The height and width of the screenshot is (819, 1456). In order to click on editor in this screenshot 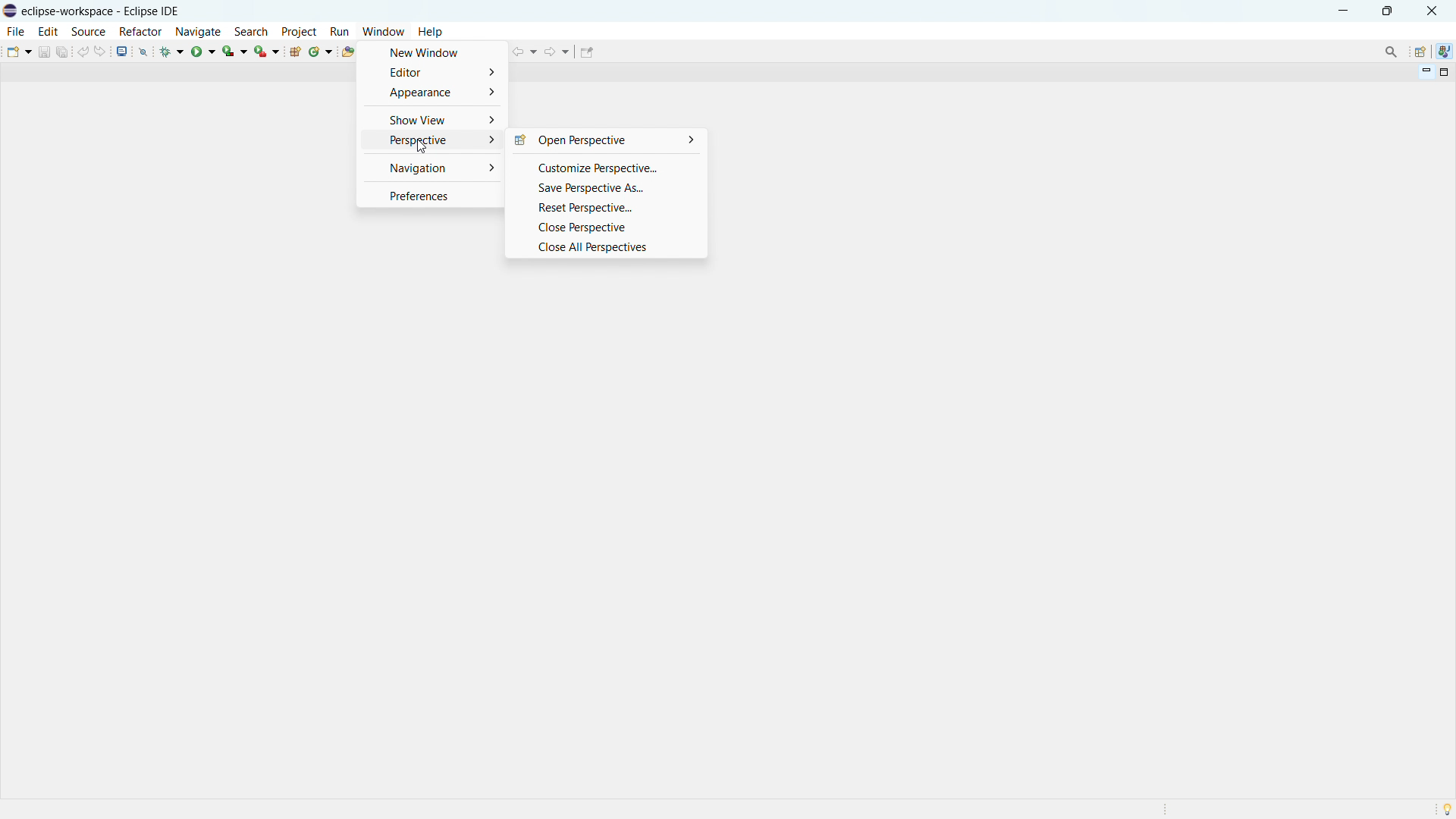, I will do `click(430, 73)`.